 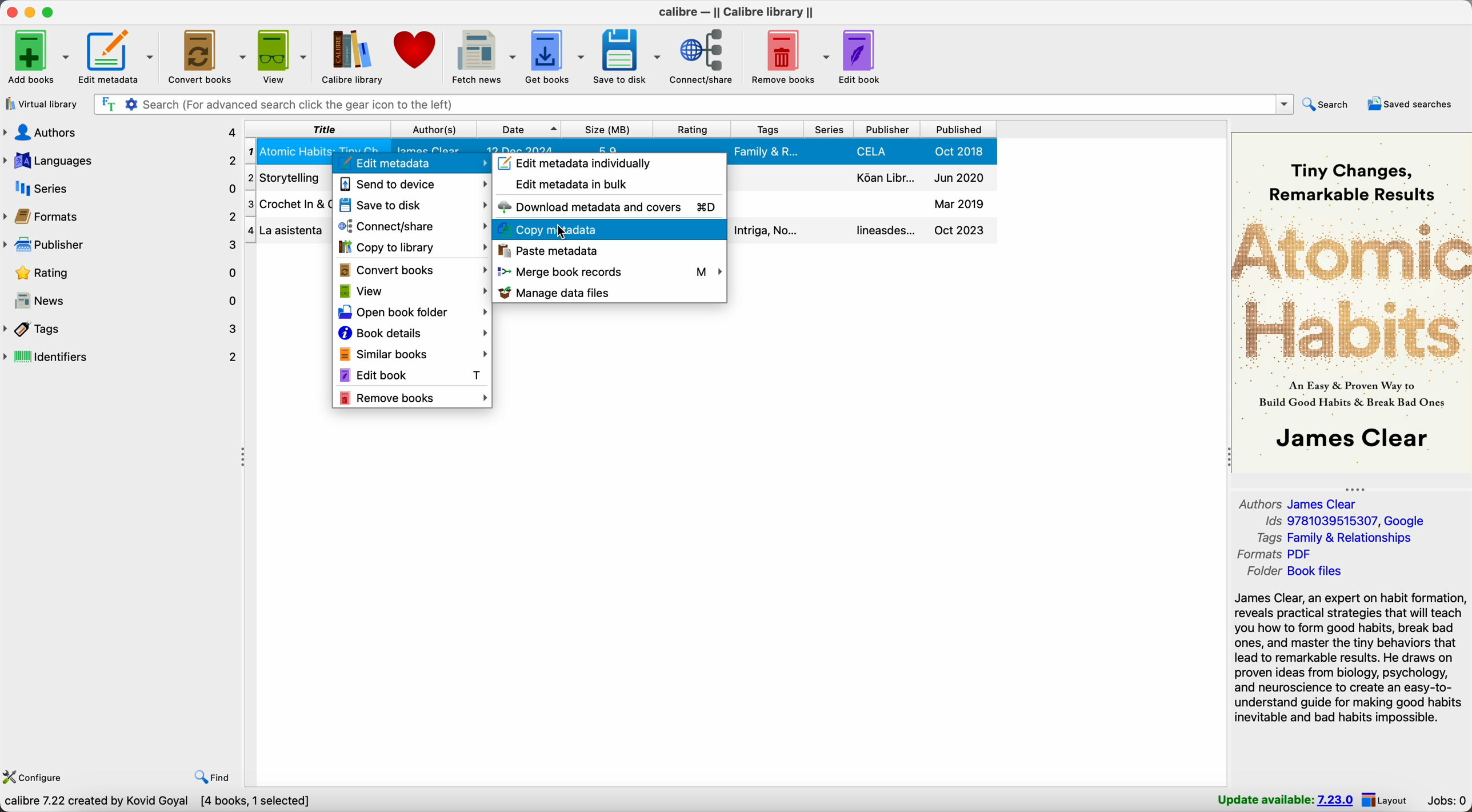 I want to click on edit metadata individually, so click(x=583, y=161).